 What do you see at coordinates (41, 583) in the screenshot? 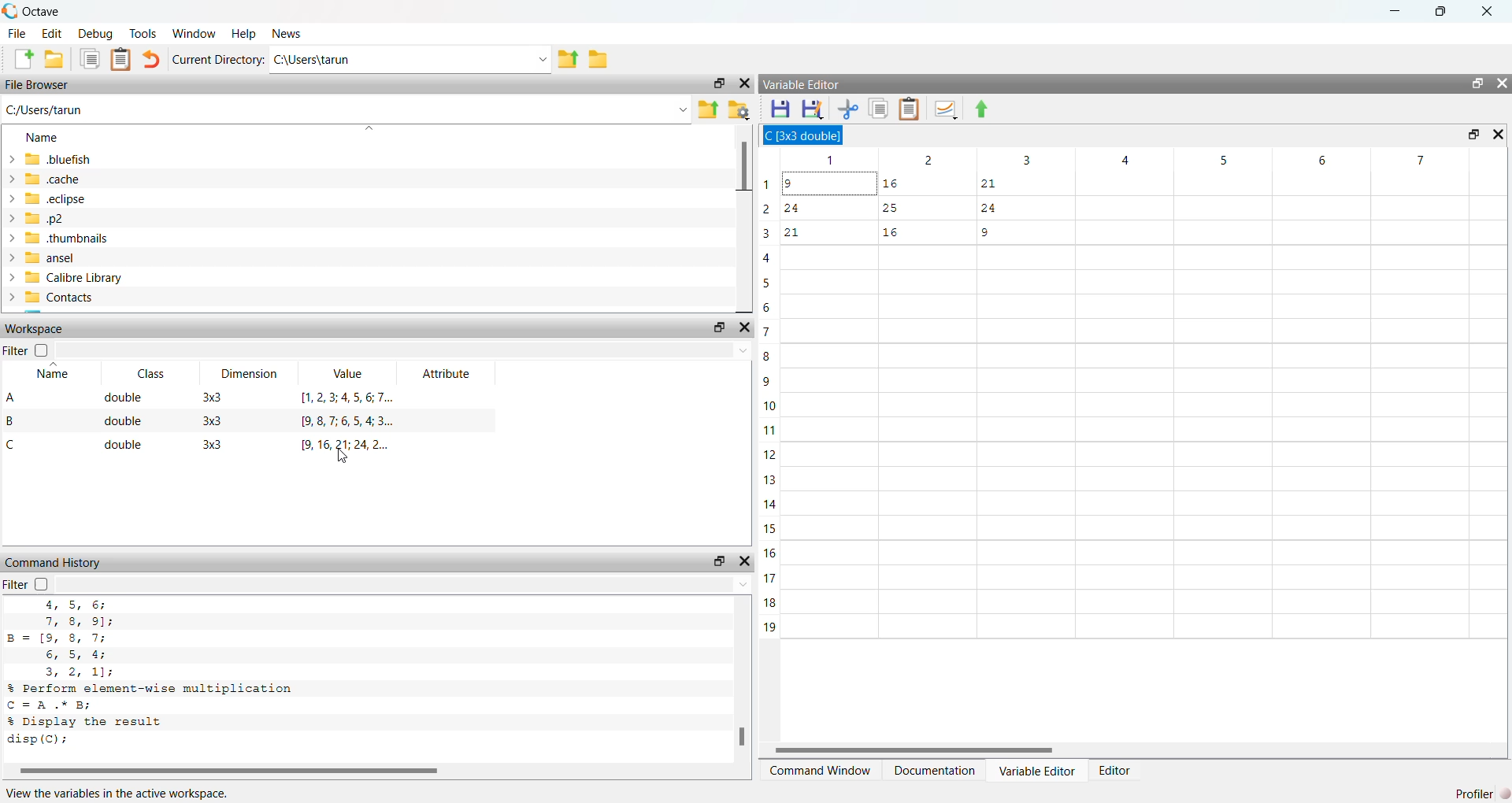
I see `Checkbox` at bounding box center [41, 583].